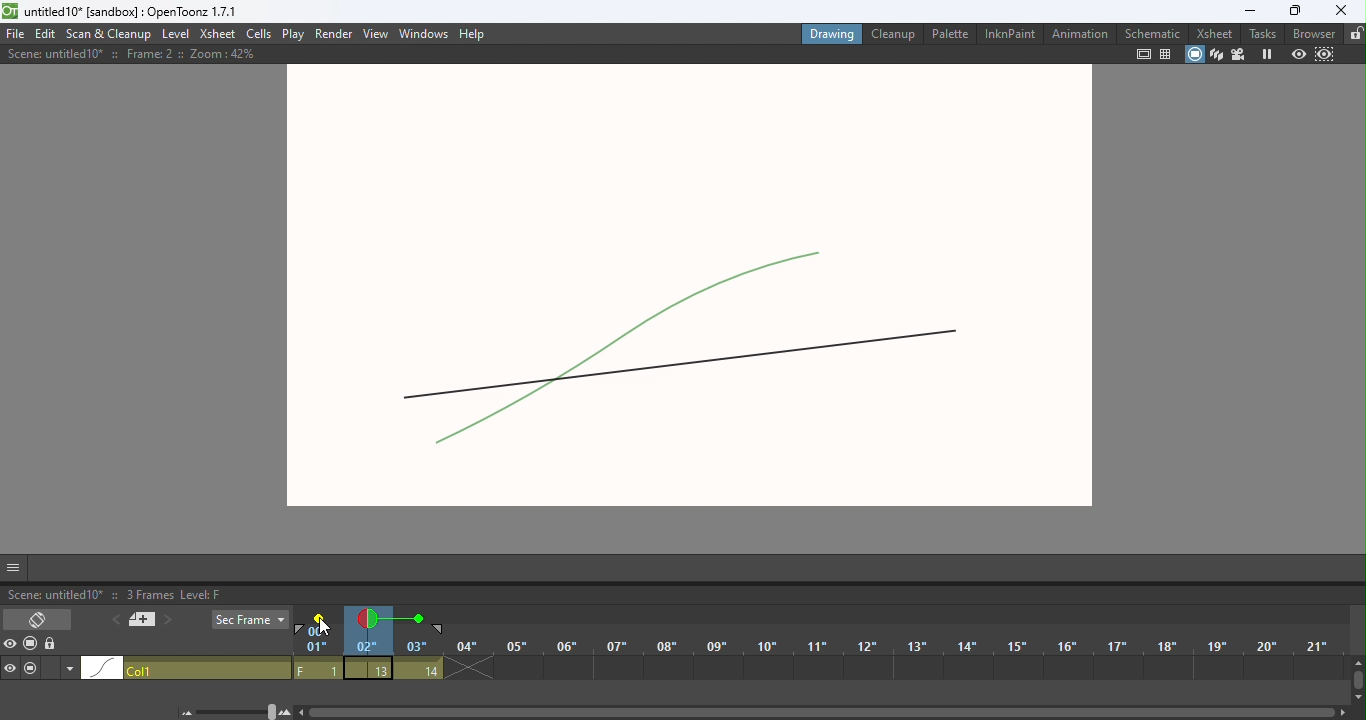 The image size is (1366, 720). Describe the element at coordinates (319, 623) in the screenshot. I see `Cursor` at that location.